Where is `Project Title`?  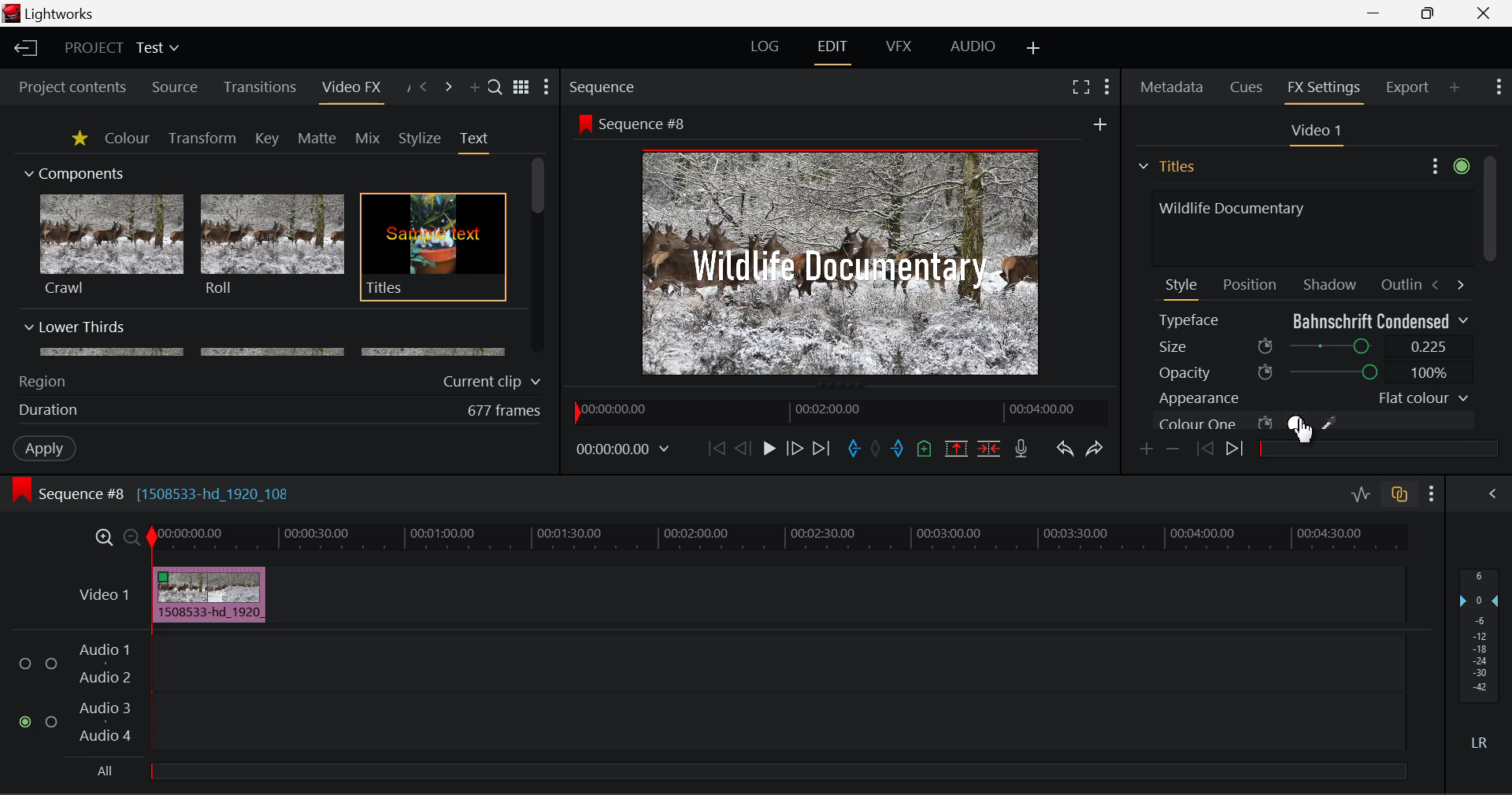 Project Title is located at coordinates (123, 46).